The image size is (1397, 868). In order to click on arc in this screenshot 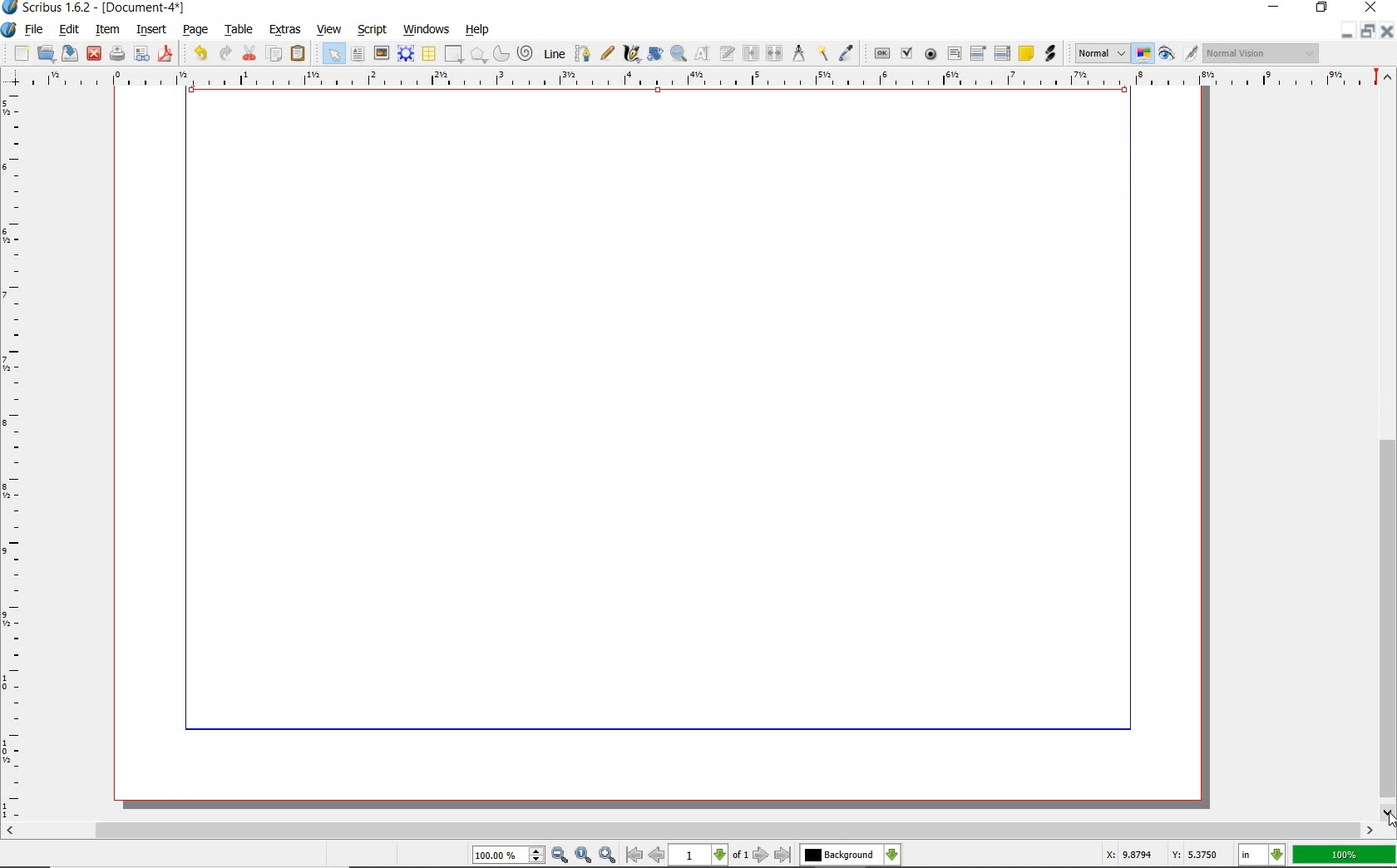, I will do `click(501, 52)`.